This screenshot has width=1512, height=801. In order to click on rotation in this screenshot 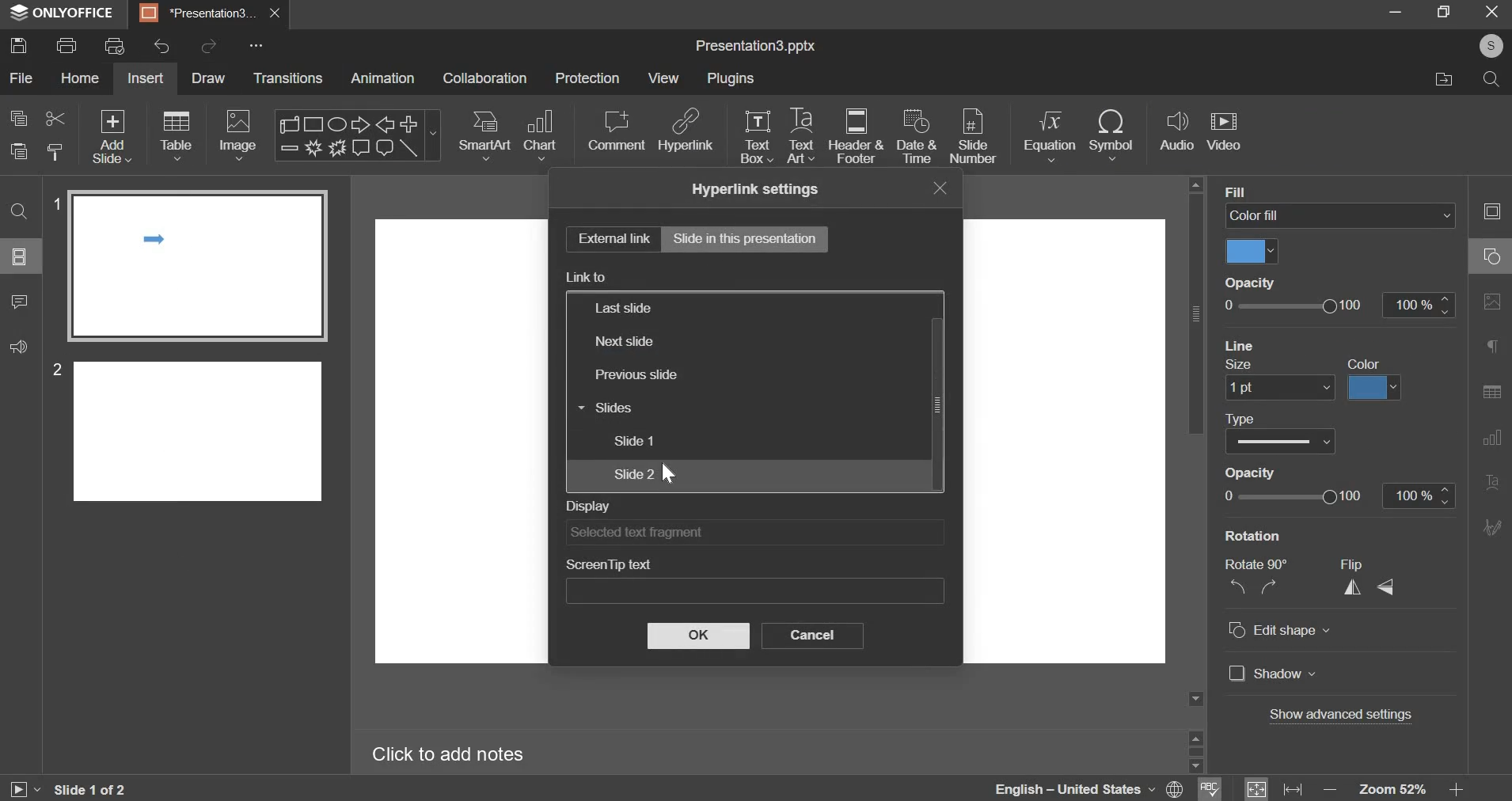, I will do `click(1253, 536)`.